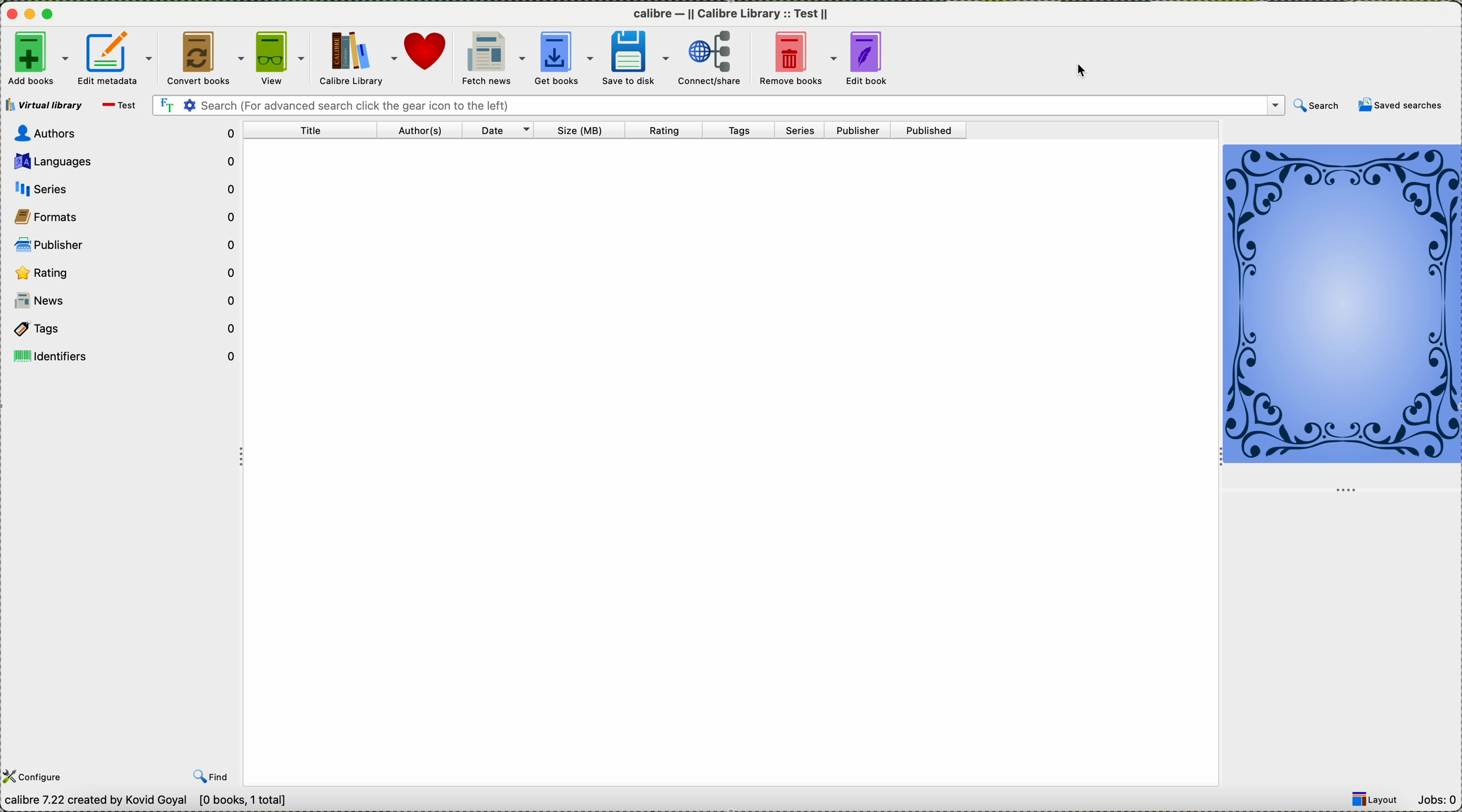 The width and height of the screenshot is (1462, 812). What do you see at coordinates (125, 303) in the screenshot?
I see `news` at bounding box center [125, 303].